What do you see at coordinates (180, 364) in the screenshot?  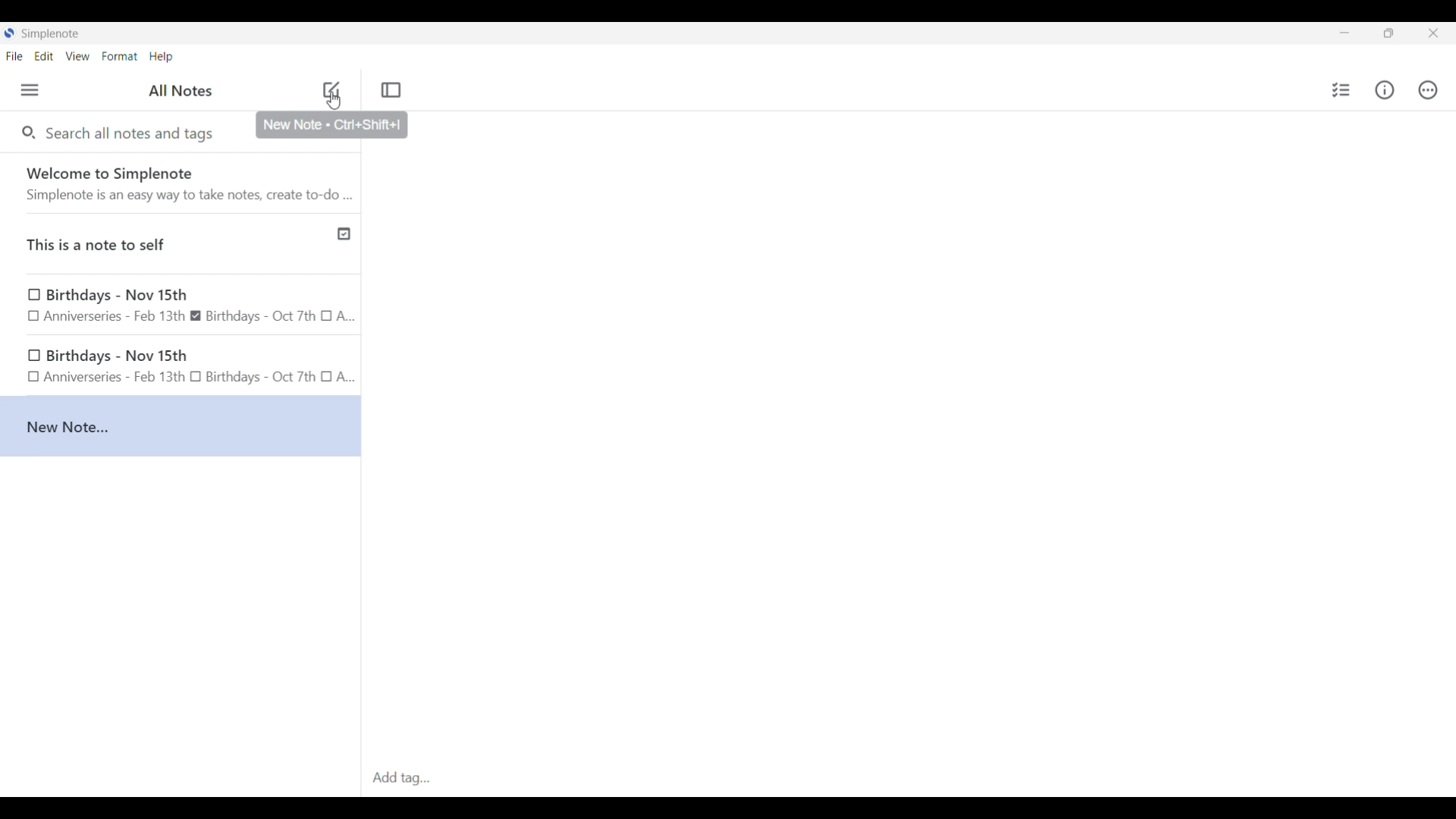 I see `Birthday note` at bounding box center [180, 364].